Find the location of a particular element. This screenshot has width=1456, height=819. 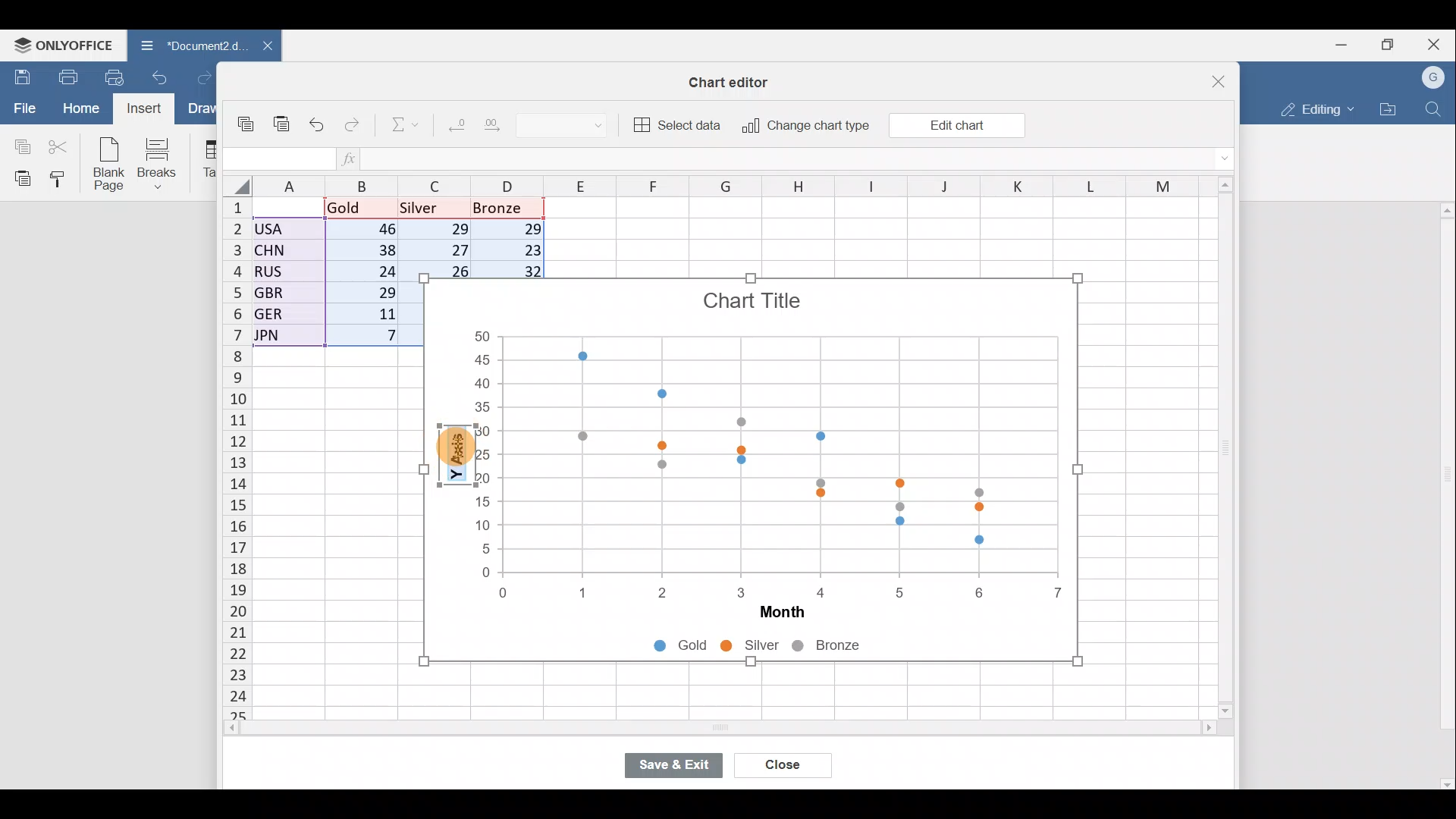

Formula bar is located at coordinates (791, 160).